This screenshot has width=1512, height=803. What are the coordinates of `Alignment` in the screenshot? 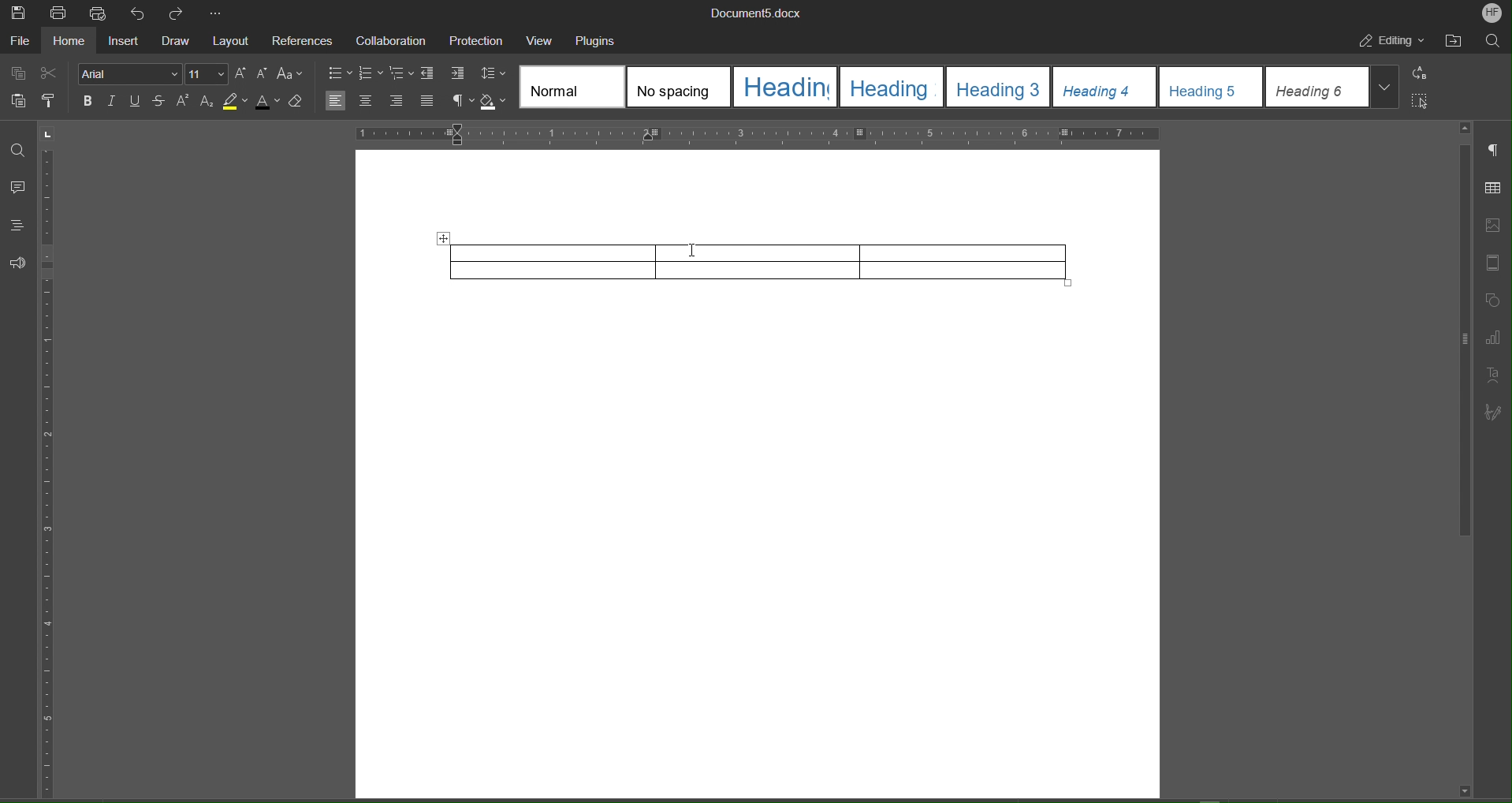 It's located at (380, 101).